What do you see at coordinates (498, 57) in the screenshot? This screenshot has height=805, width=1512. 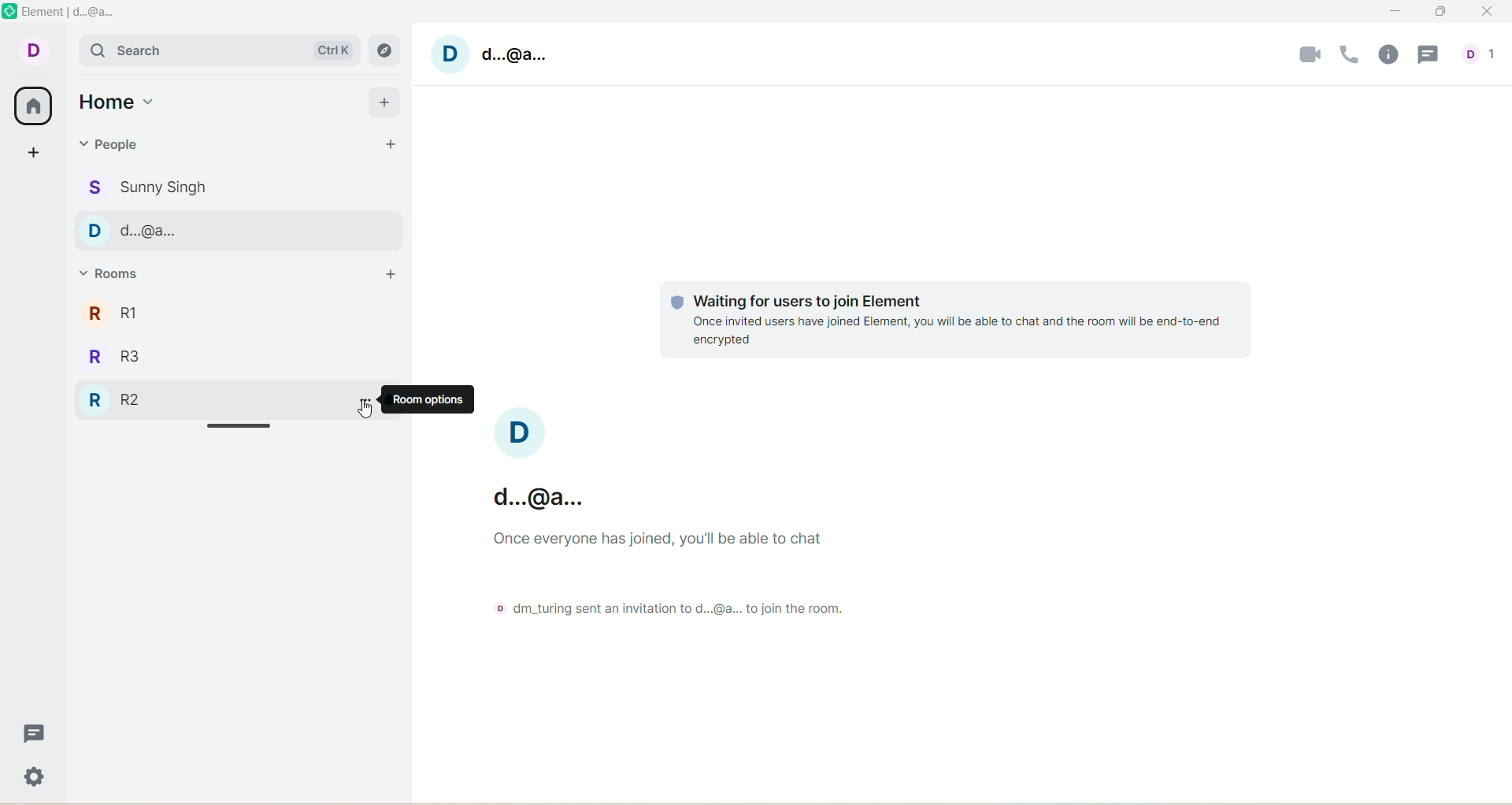 I see `account` at bounding box center [498, 57].